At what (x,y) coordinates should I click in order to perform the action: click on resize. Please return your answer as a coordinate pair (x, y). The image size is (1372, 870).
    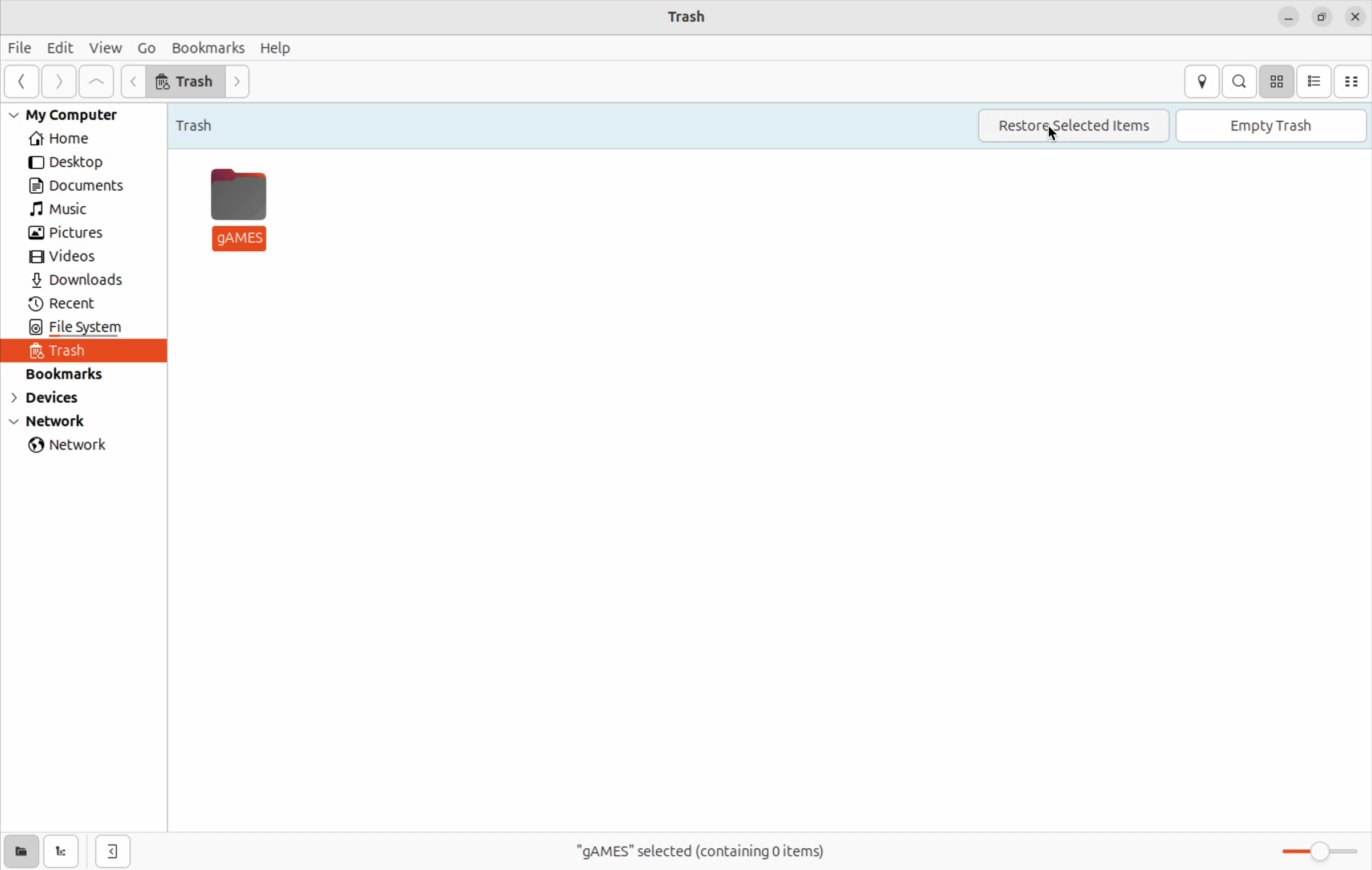
    Looking at the image, I should click on (1321, 18).